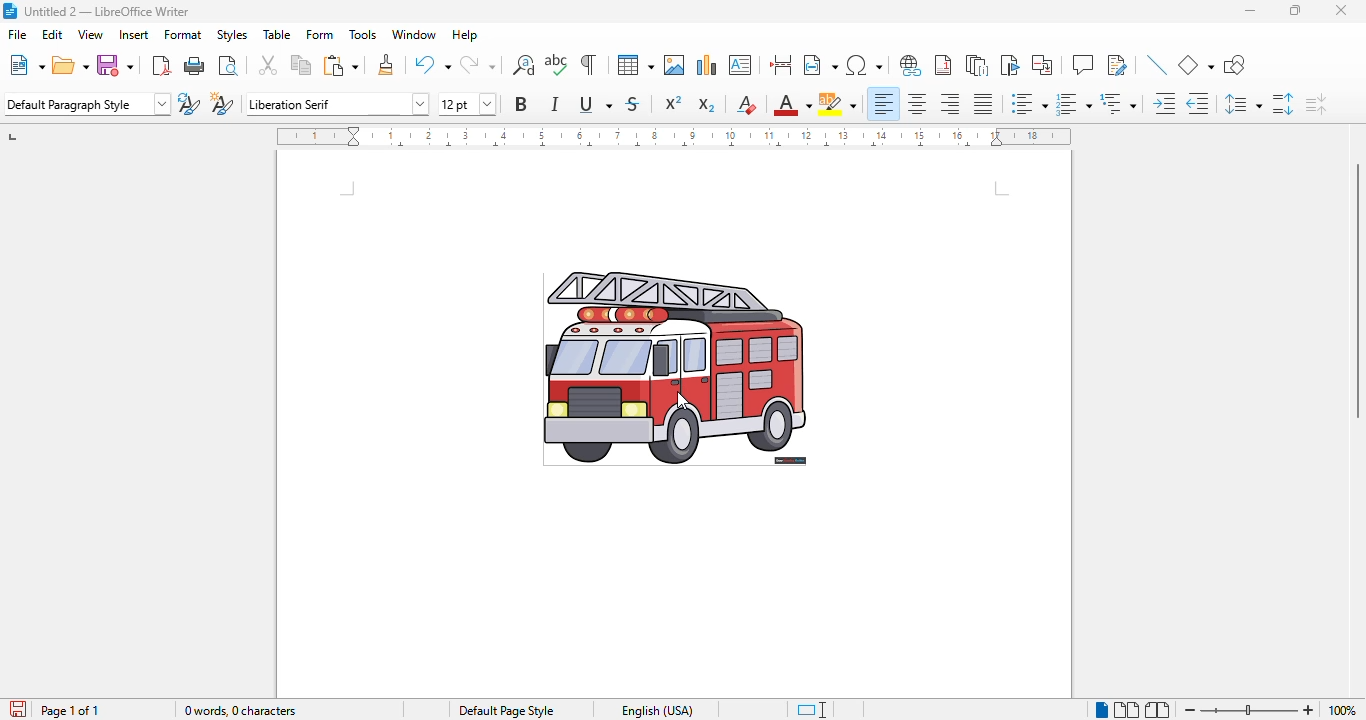  I want to click on justified, so click(984, 104).